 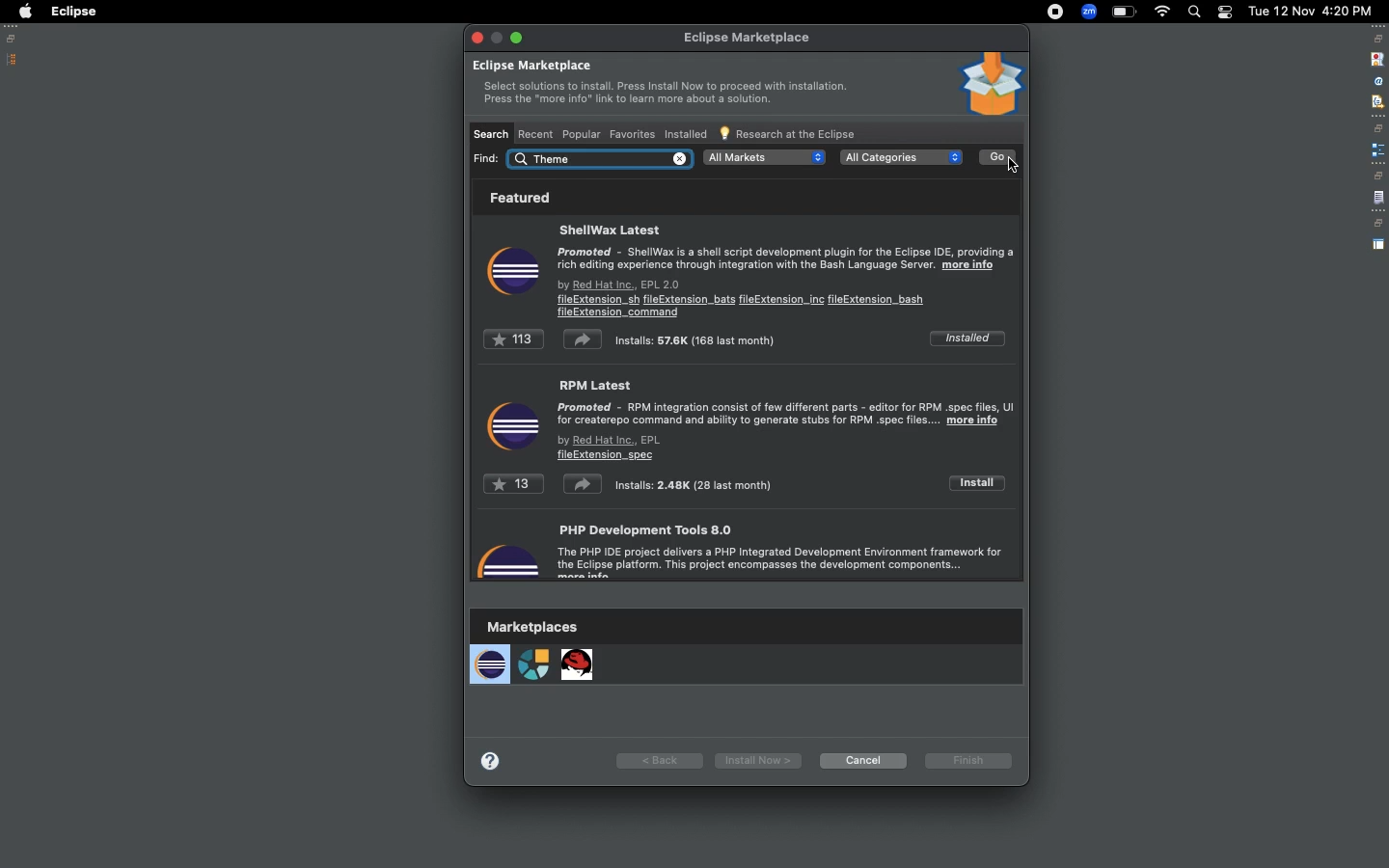 I want to click on restore, so click(x=1377, y=176).